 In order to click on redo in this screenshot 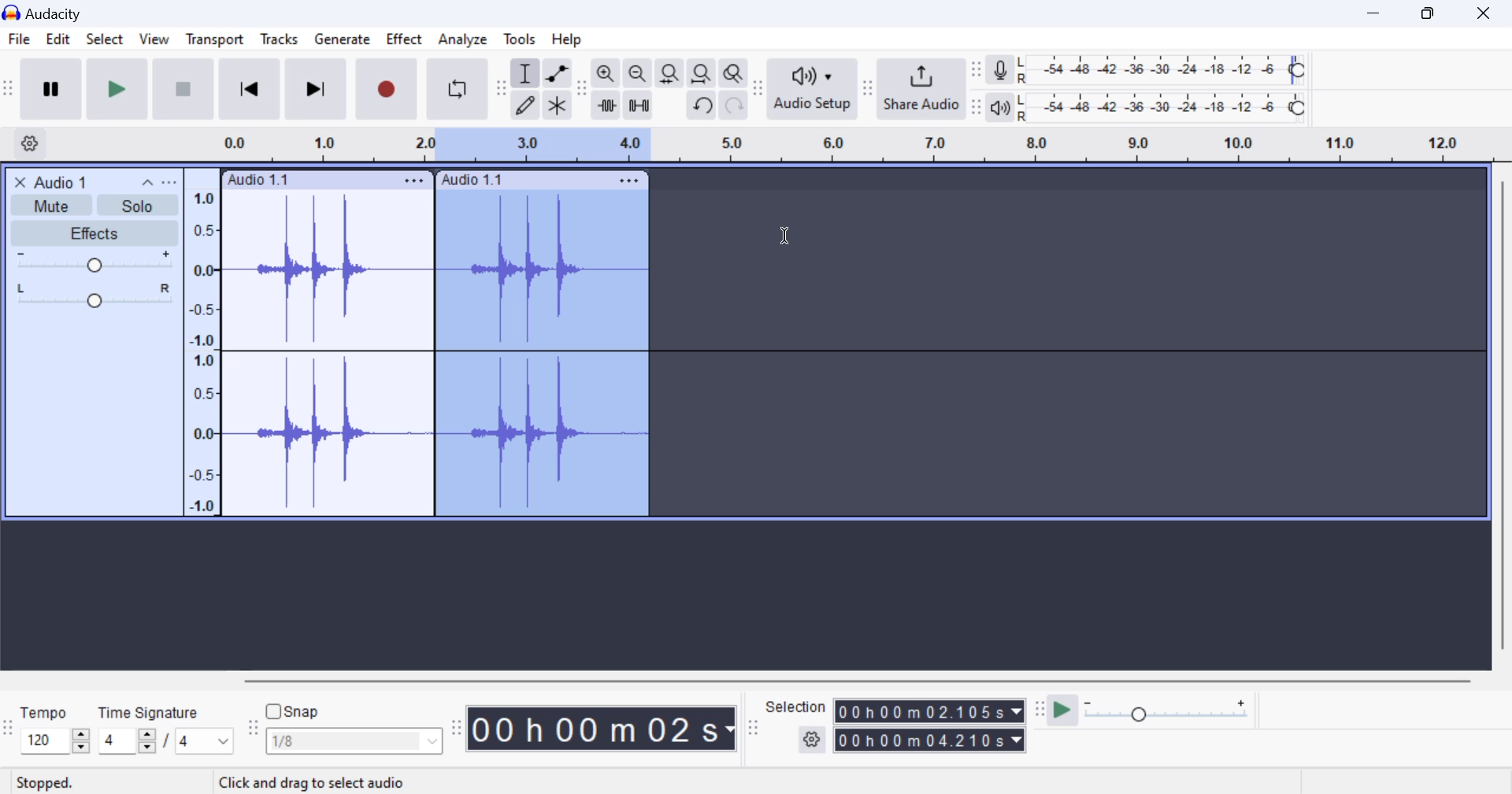, I will do `click(734, 106)`.